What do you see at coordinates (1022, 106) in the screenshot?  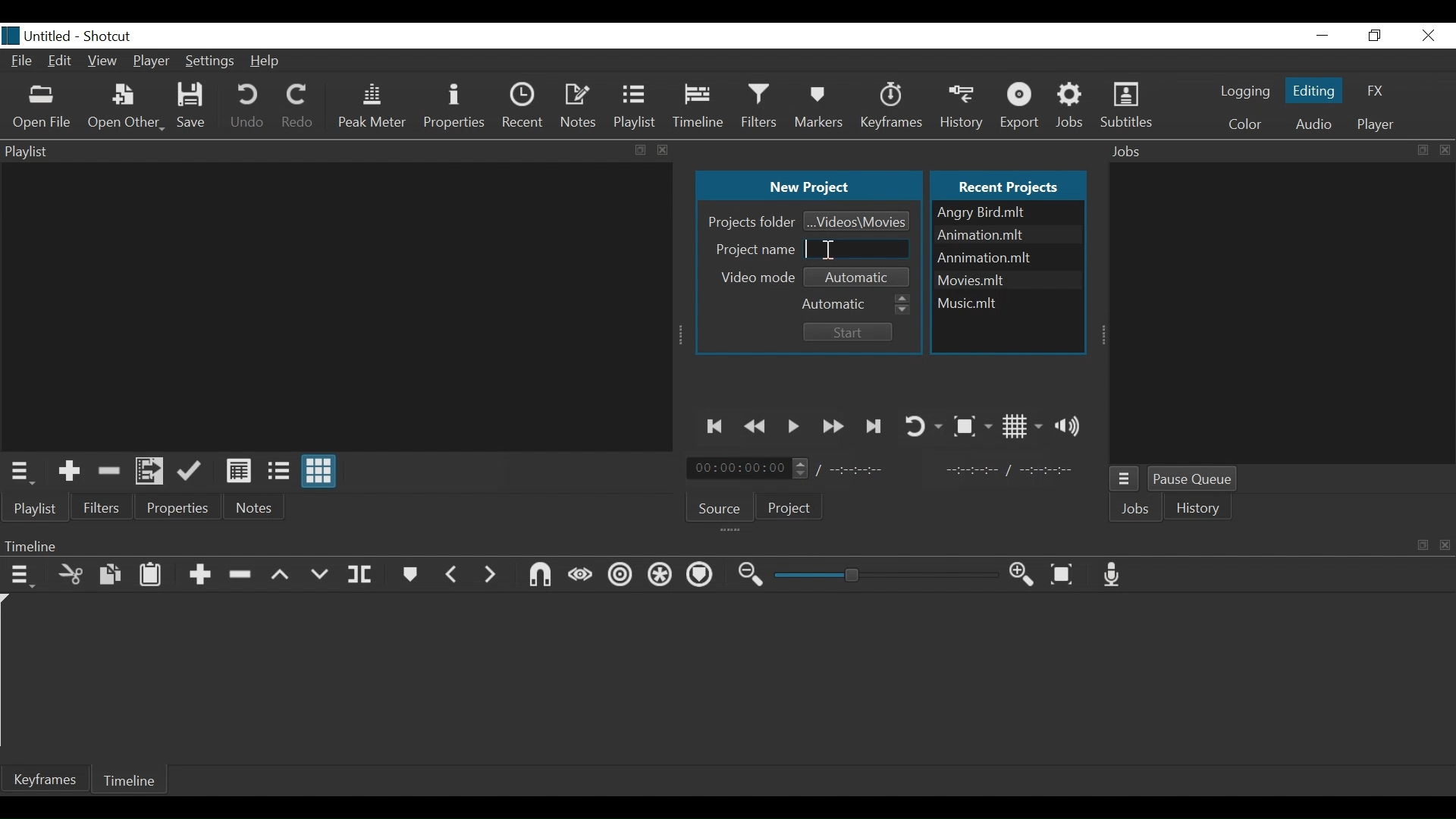 I see `Export` at bounding box center [1022, 106].